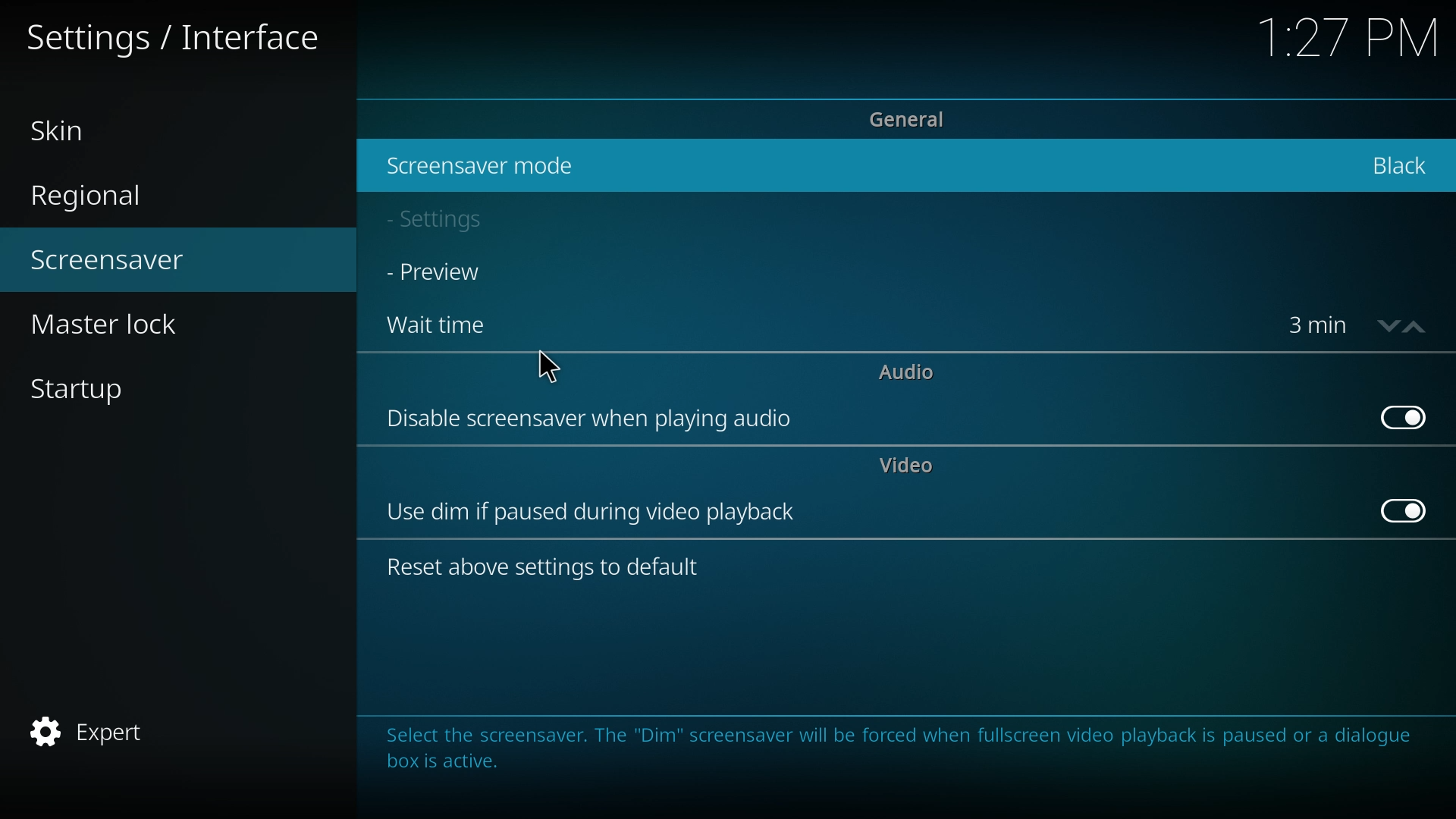 Image resolution: width=1456 pixels, height=819 pixels. I want to click on screensaver, so click(148, 260).